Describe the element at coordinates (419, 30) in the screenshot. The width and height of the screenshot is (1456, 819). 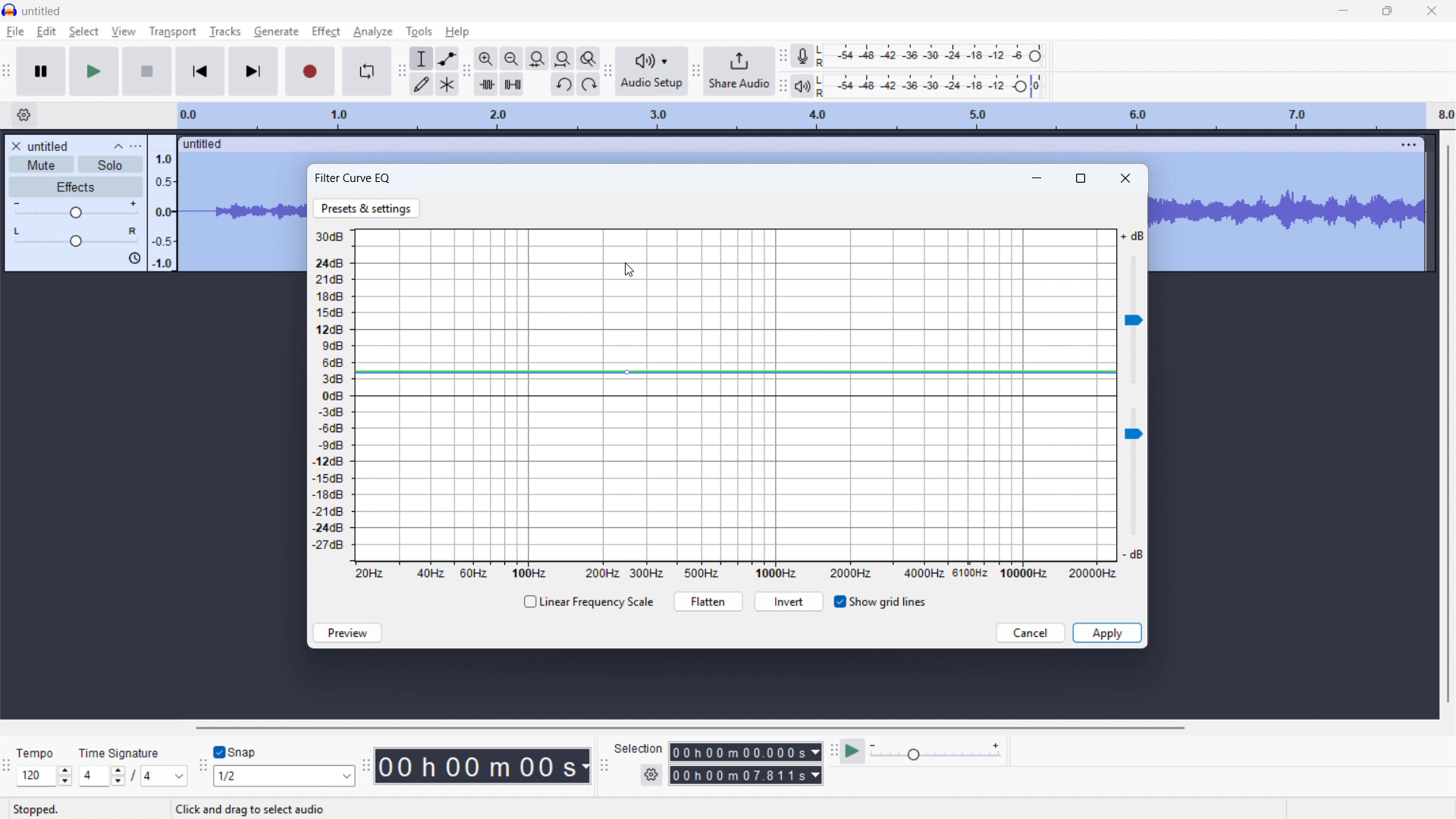
I see `tools` at that location.